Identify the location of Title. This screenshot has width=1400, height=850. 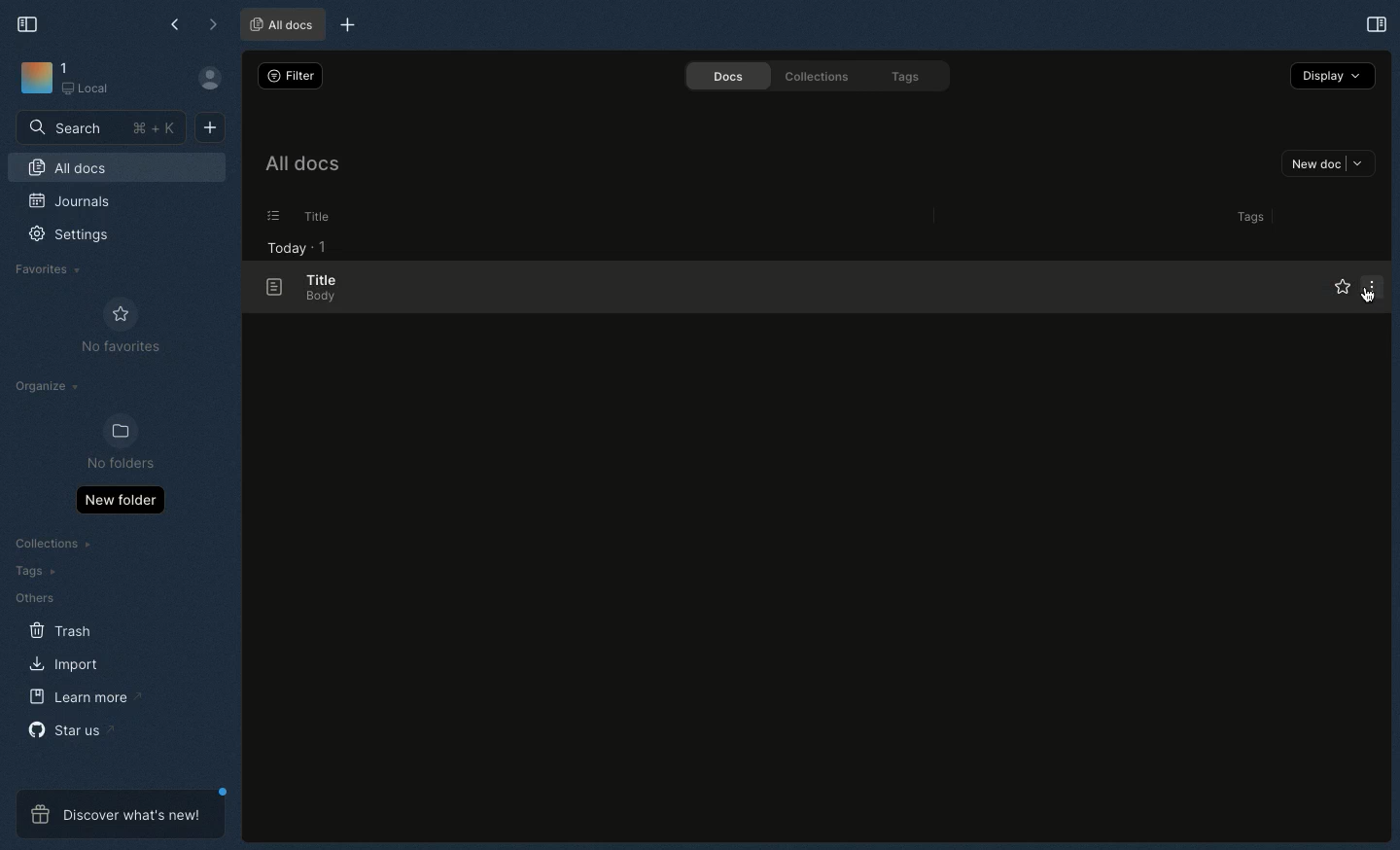
(319, 279).